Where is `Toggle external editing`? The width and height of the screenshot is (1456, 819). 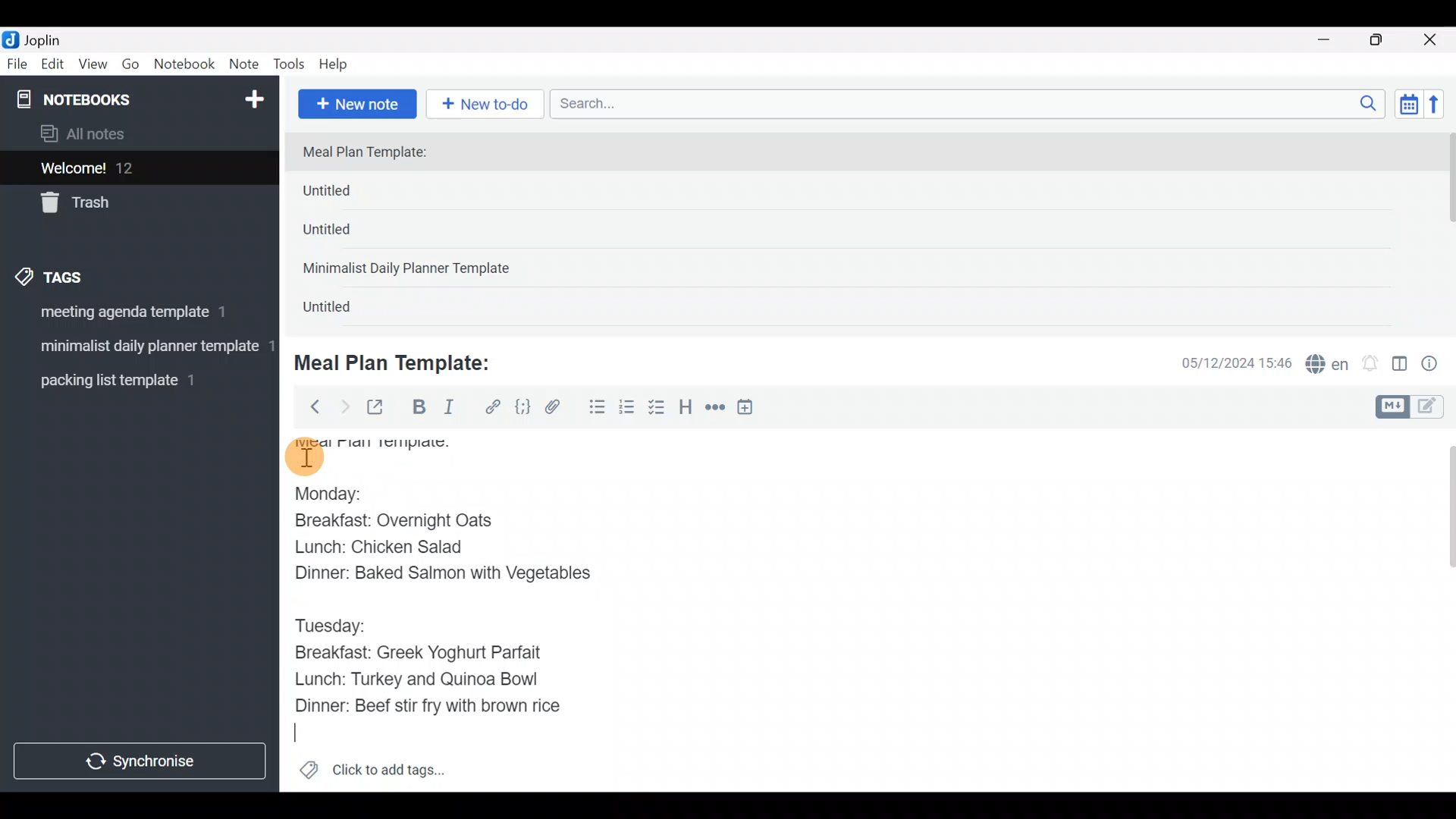 Toggle external editing is located at coordinates (381, 408).